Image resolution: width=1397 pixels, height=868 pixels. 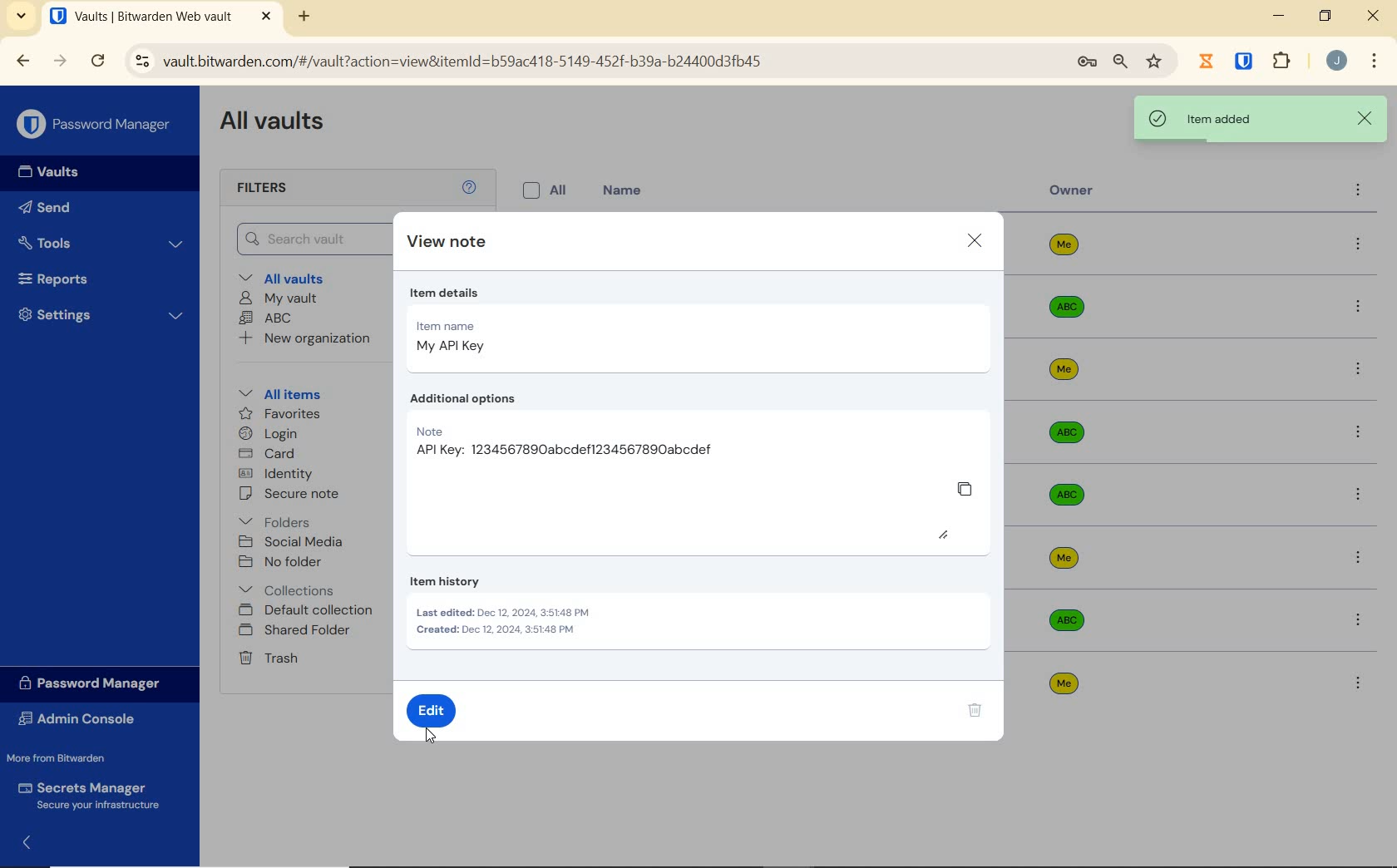 I want to click on FORWARD, so click(x=61, y=62).